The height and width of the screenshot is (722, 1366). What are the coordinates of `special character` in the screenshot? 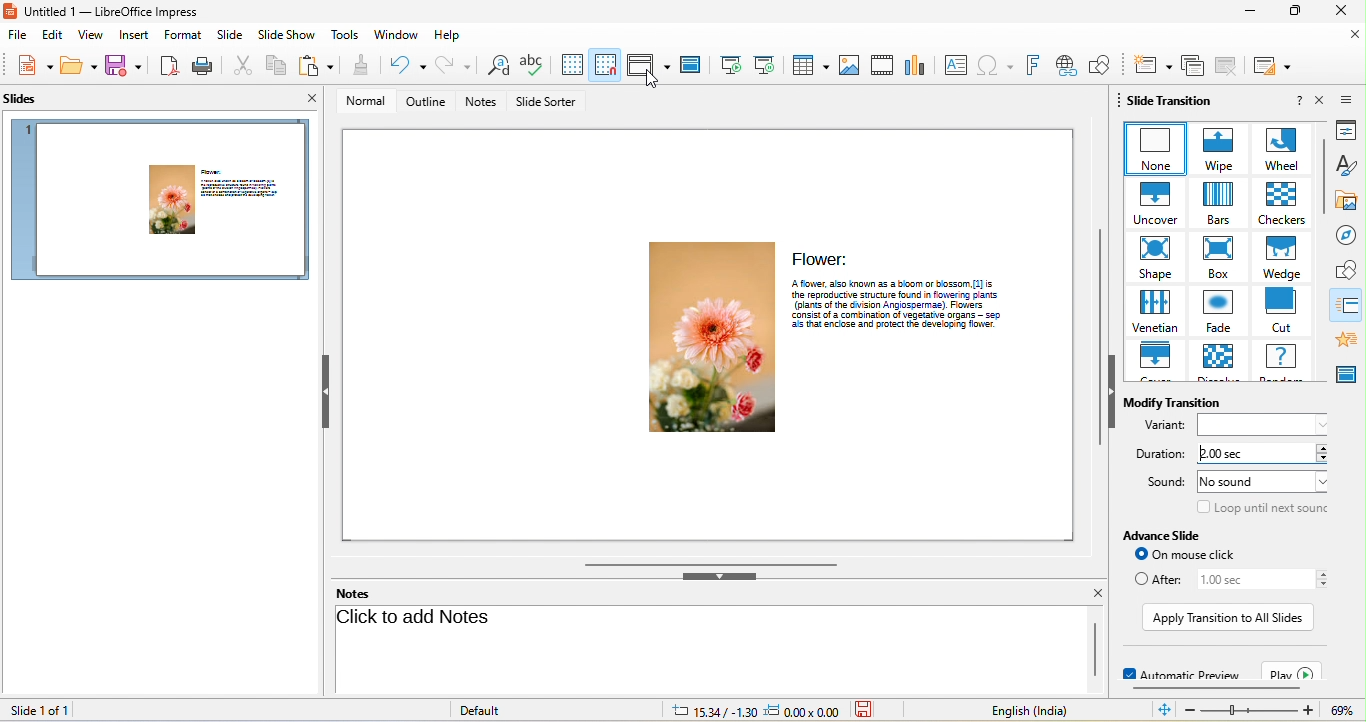 It's located at (997, 63).